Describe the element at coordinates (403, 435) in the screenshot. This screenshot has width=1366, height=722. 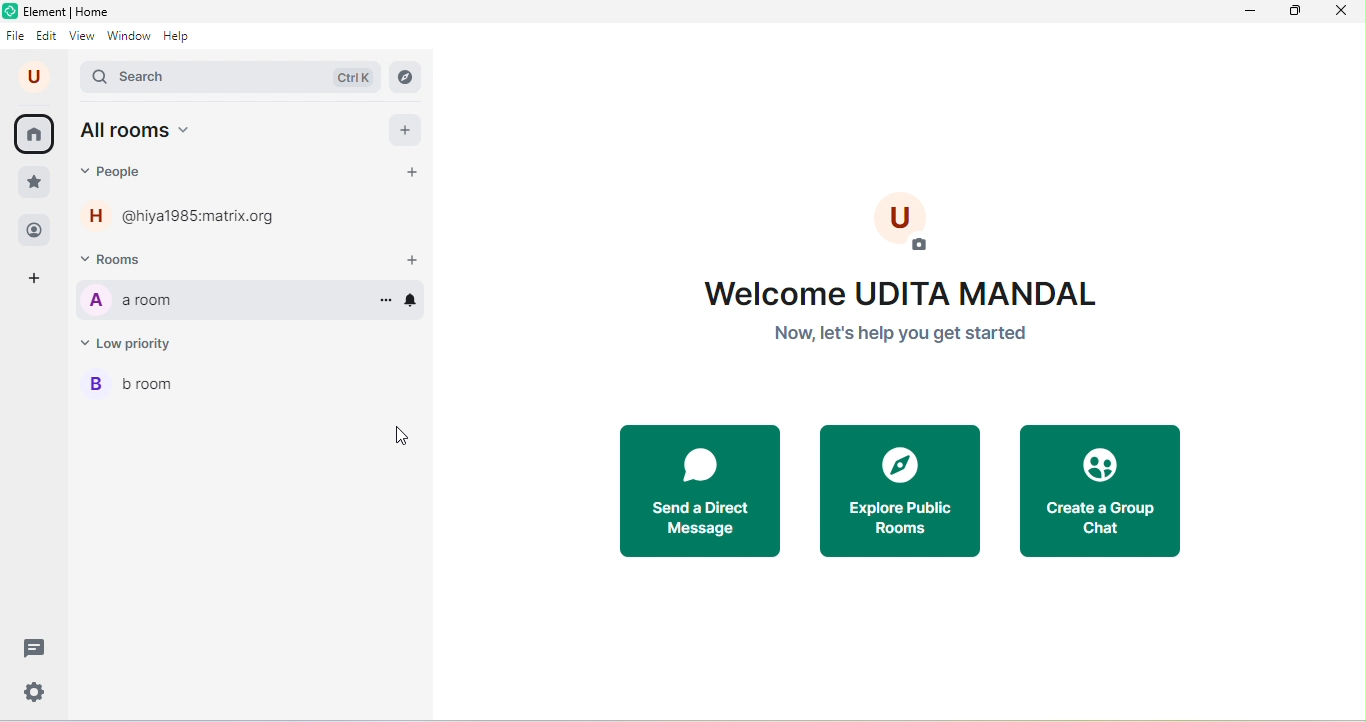
I see `cursor movement` at that location.